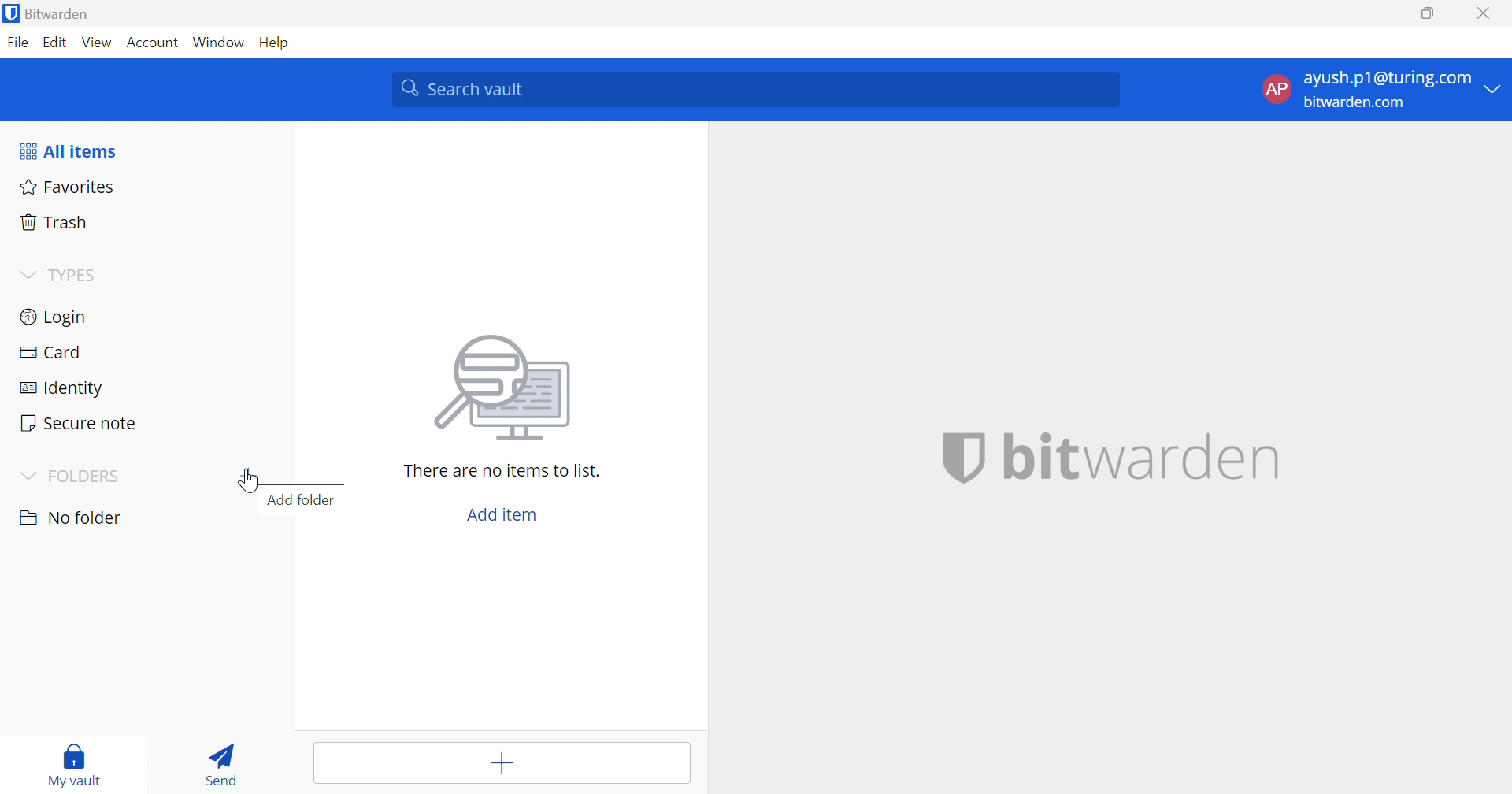  What do you see at coordinates (87, 477) in the screenshot?
I see `FOLDERS` at bounding box center [87, 477].